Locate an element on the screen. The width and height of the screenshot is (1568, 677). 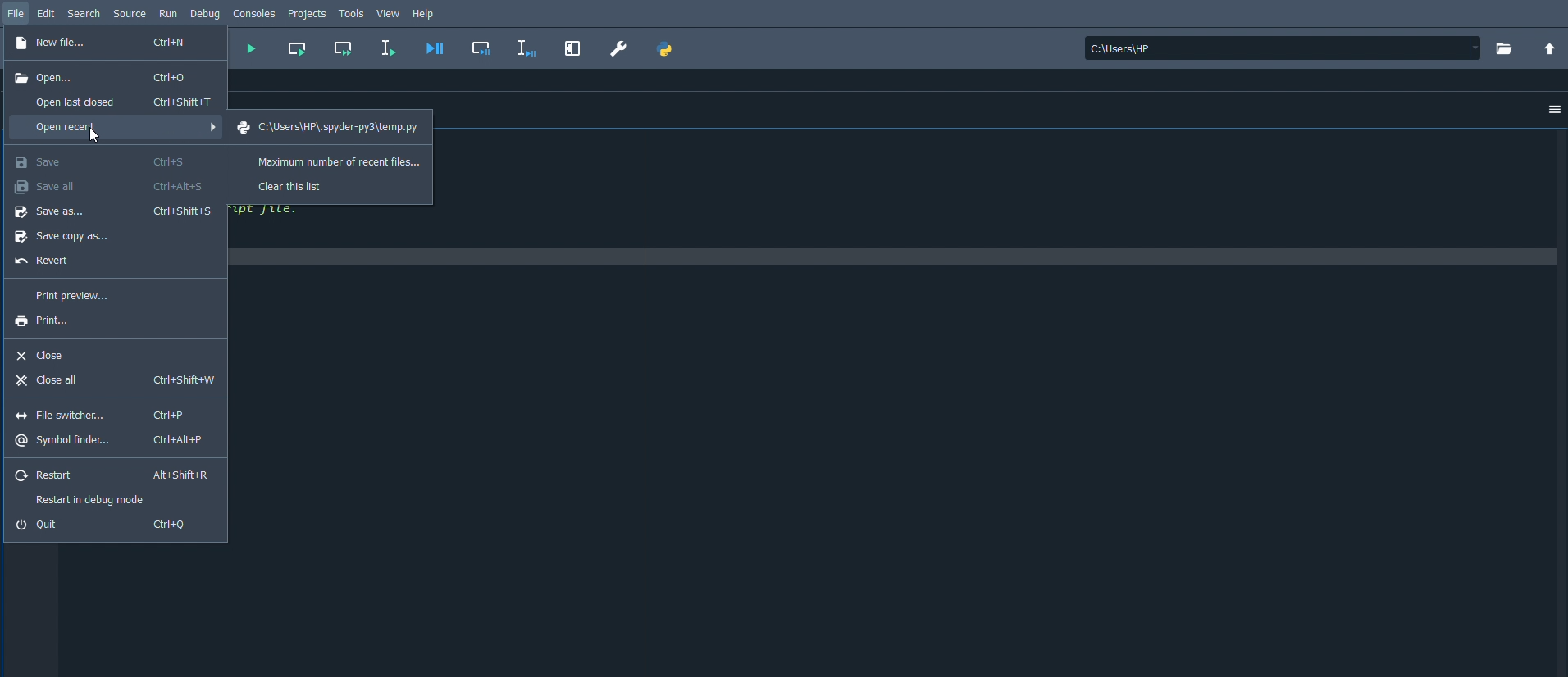
Run current cell is located at coordinates (297, 48).